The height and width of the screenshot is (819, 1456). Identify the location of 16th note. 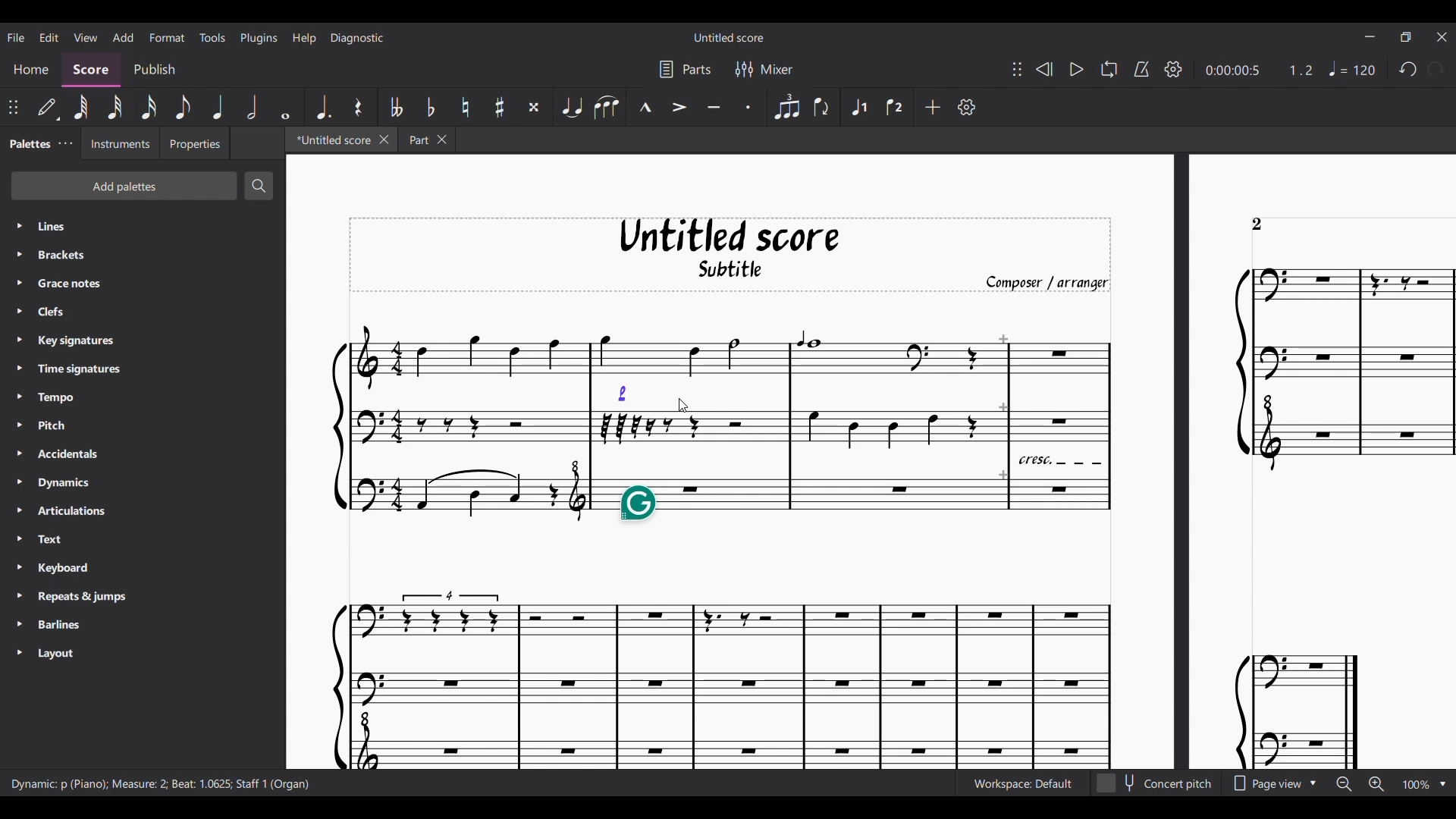
(149, 107).